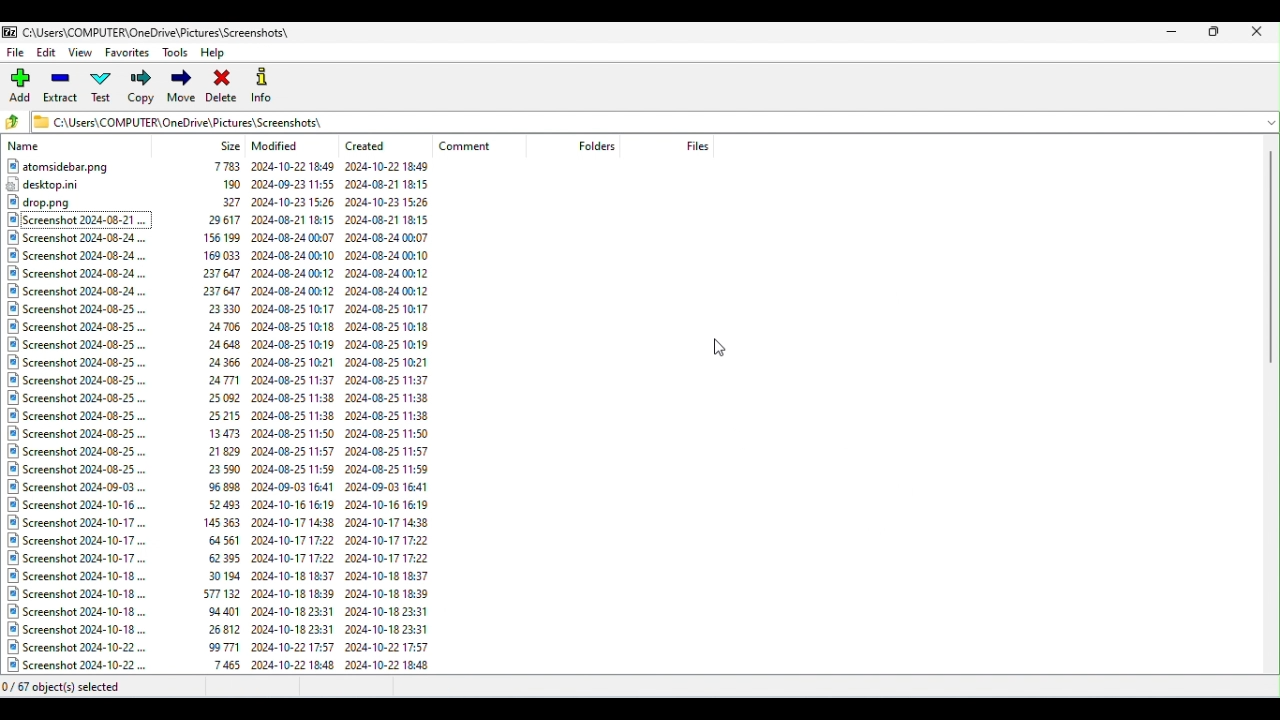 The height and width of the screenshot is (720, 1280). I want to click on Minimize, so click(1174, 30).